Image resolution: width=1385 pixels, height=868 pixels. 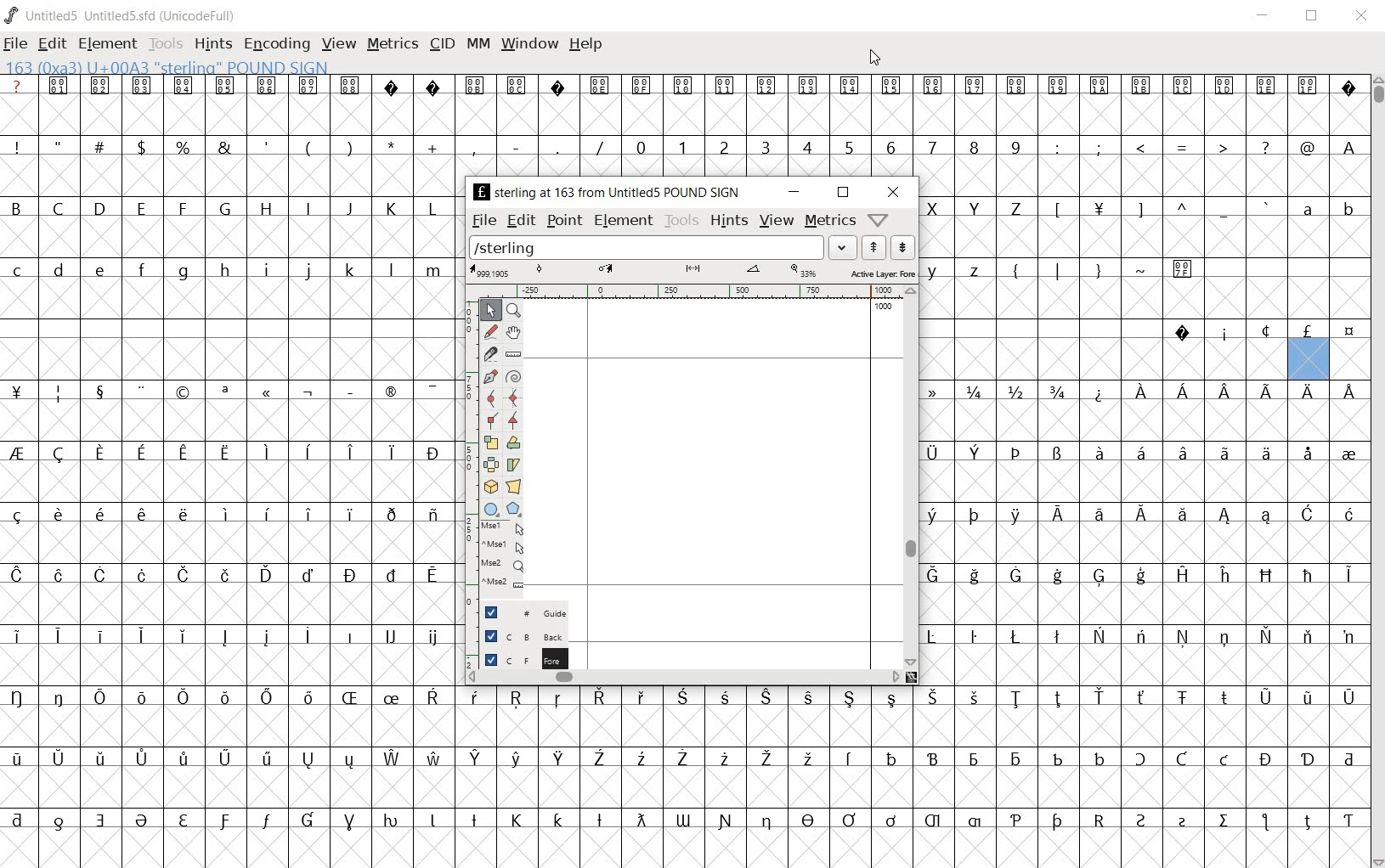 What do you see at coordinates (517, 699) in the screenshot?
I see `Symbol` at bounding box center [517, 699].